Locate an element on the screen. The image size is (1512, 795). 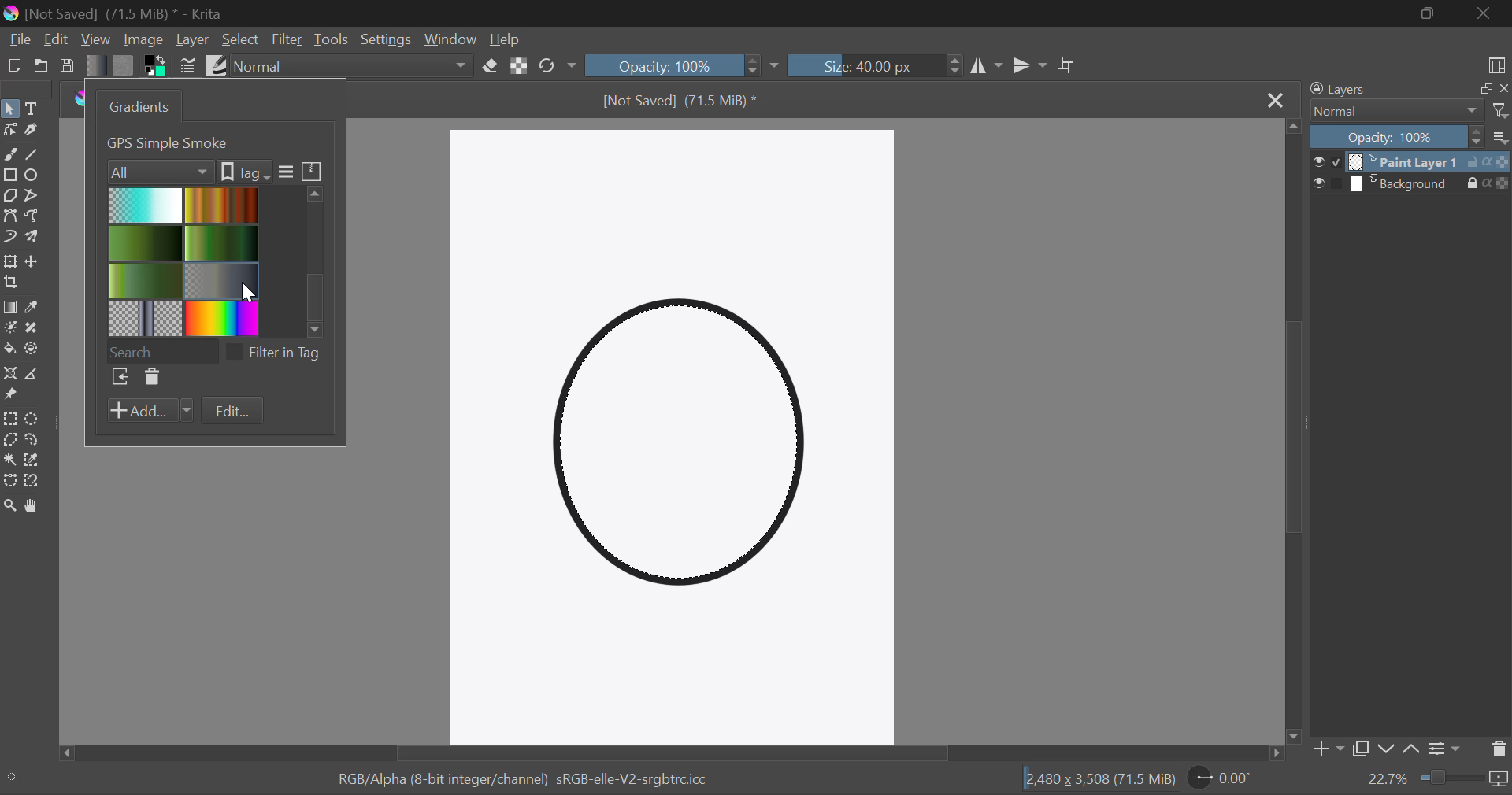
checkbox is located at coordinates (234, 353).